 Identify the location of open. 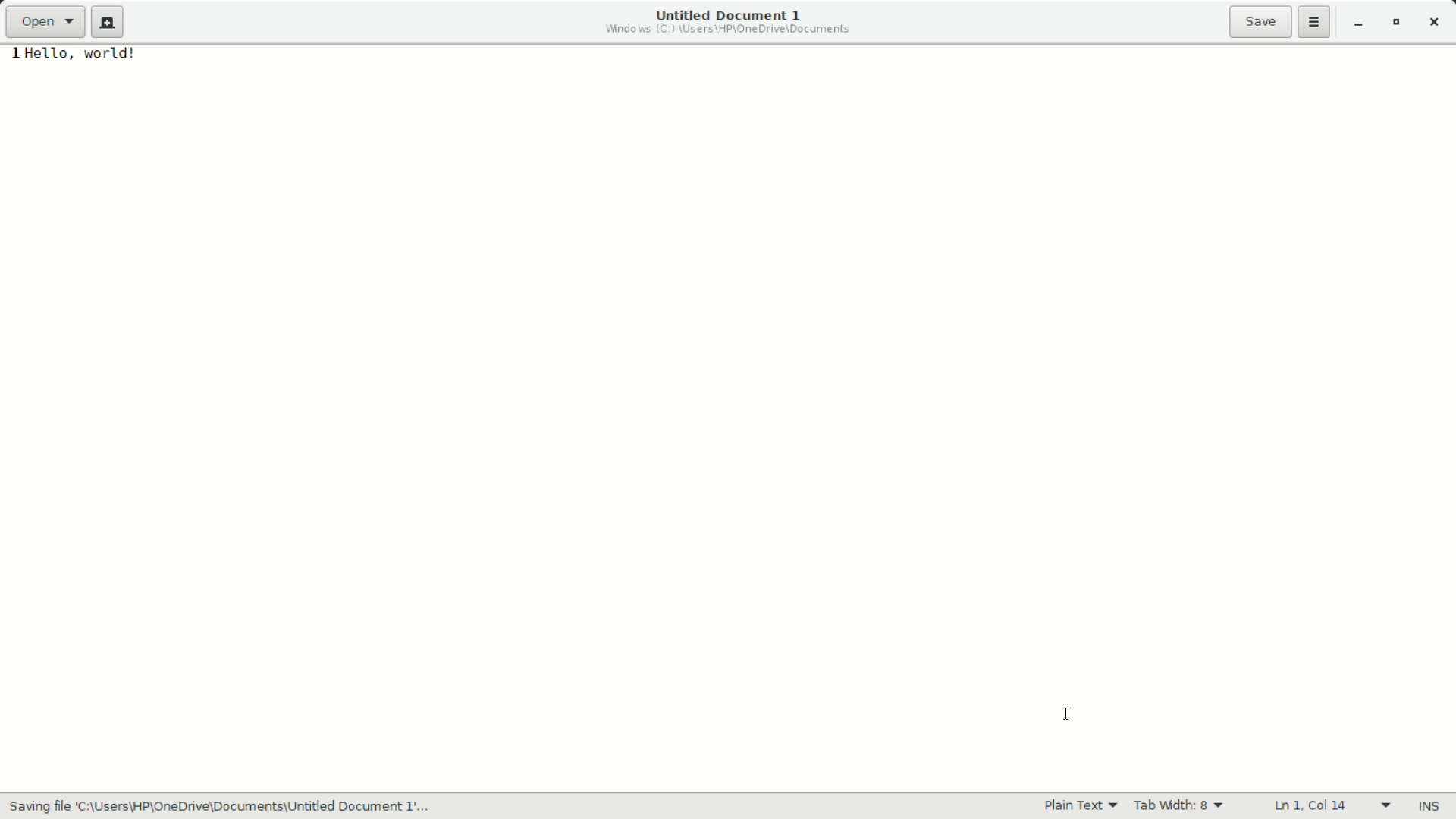
(47, 22).